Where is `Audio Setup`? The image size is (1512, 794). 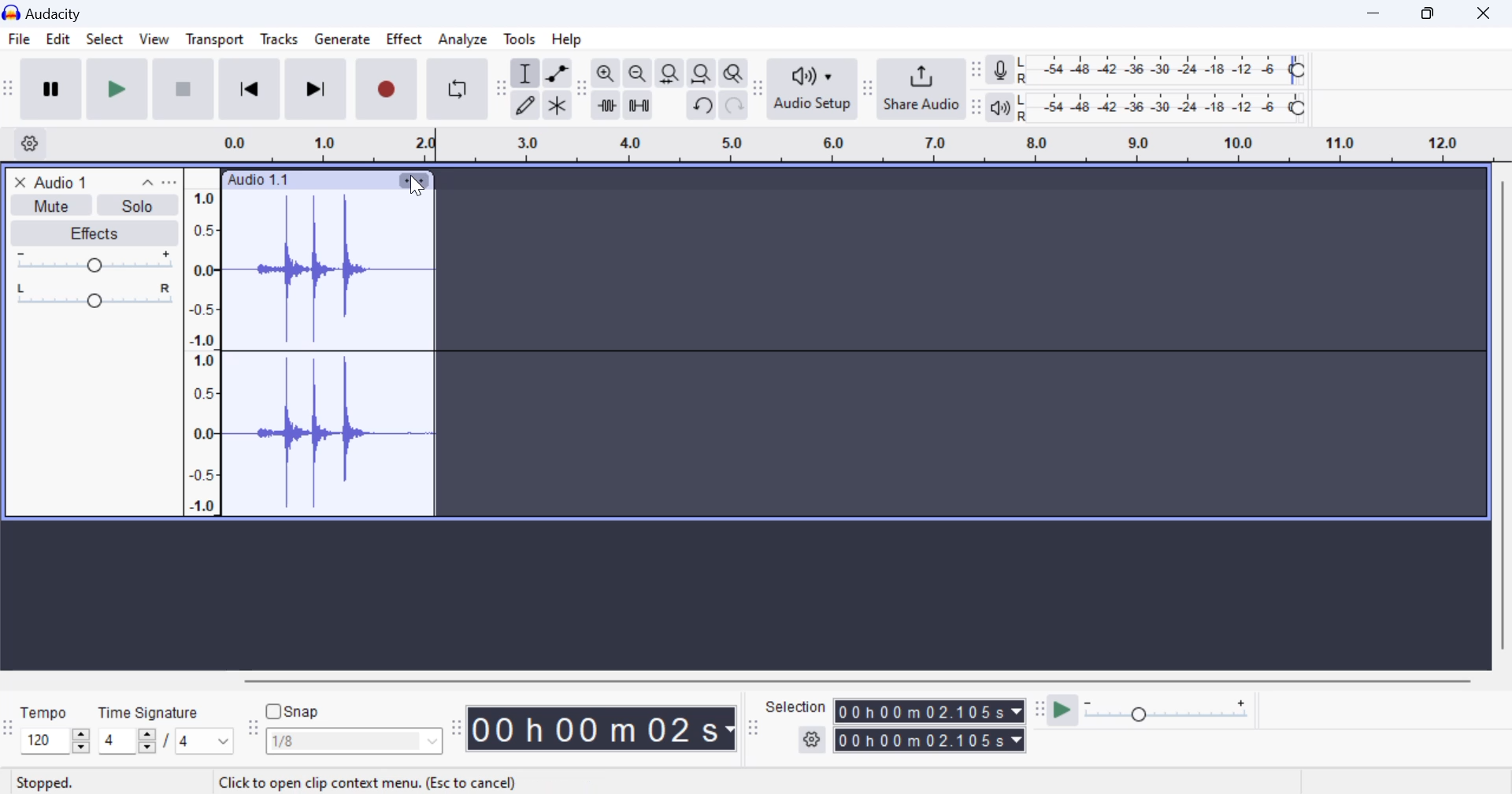 Audio Setup is located at coordinates (811, 88).